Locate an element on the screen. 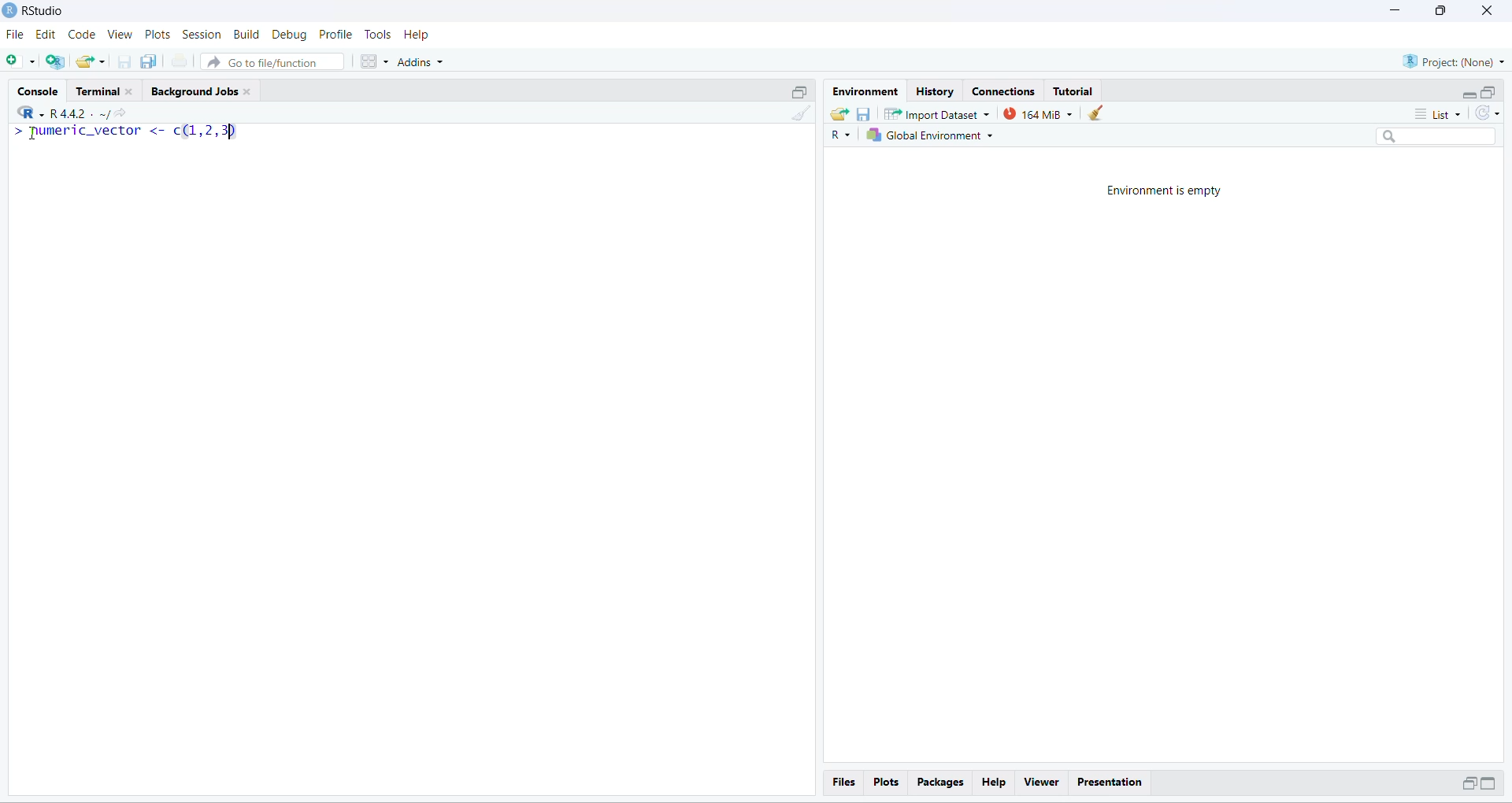 Image resolution: width=1512 pixels, height=803 pixels. Profile is located at coordinates (335, 35).